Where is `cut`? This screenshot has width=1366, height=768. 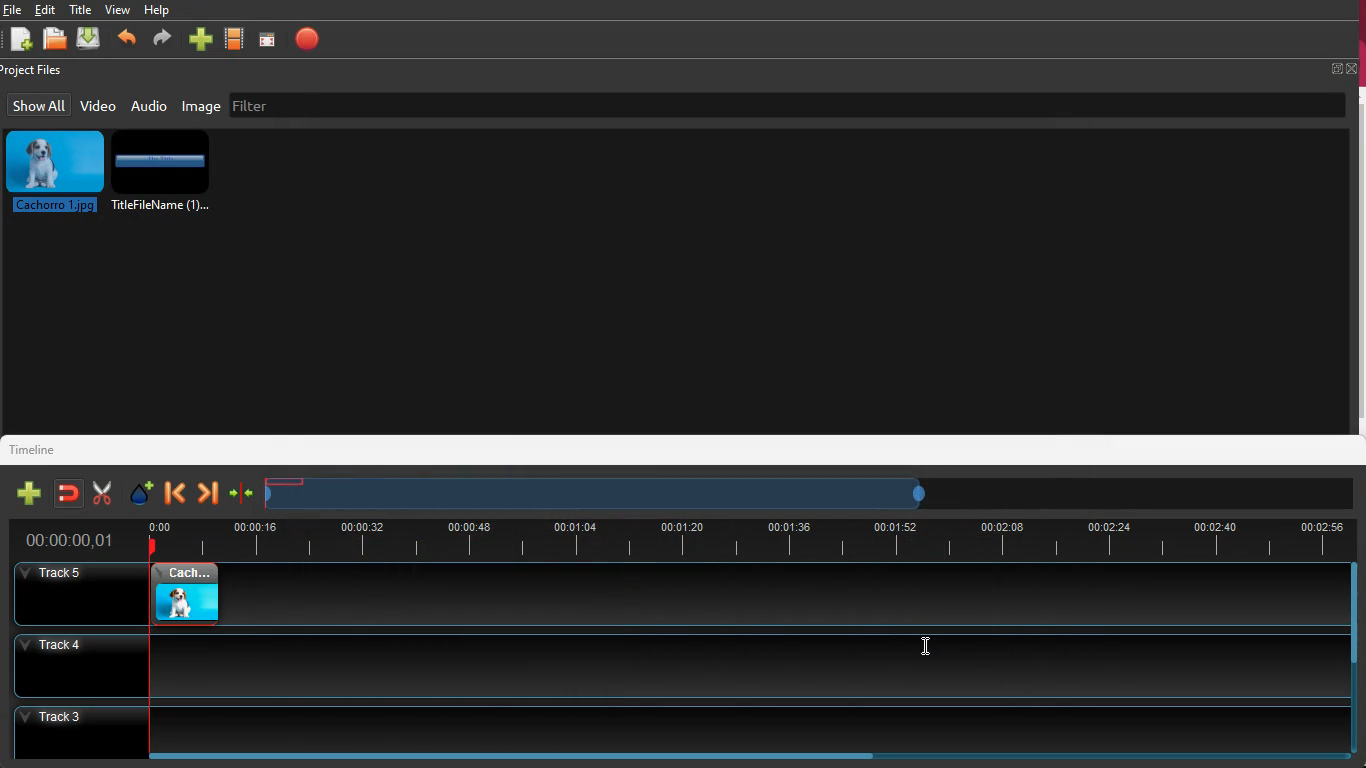 cut is located at coordinates (97, 493).